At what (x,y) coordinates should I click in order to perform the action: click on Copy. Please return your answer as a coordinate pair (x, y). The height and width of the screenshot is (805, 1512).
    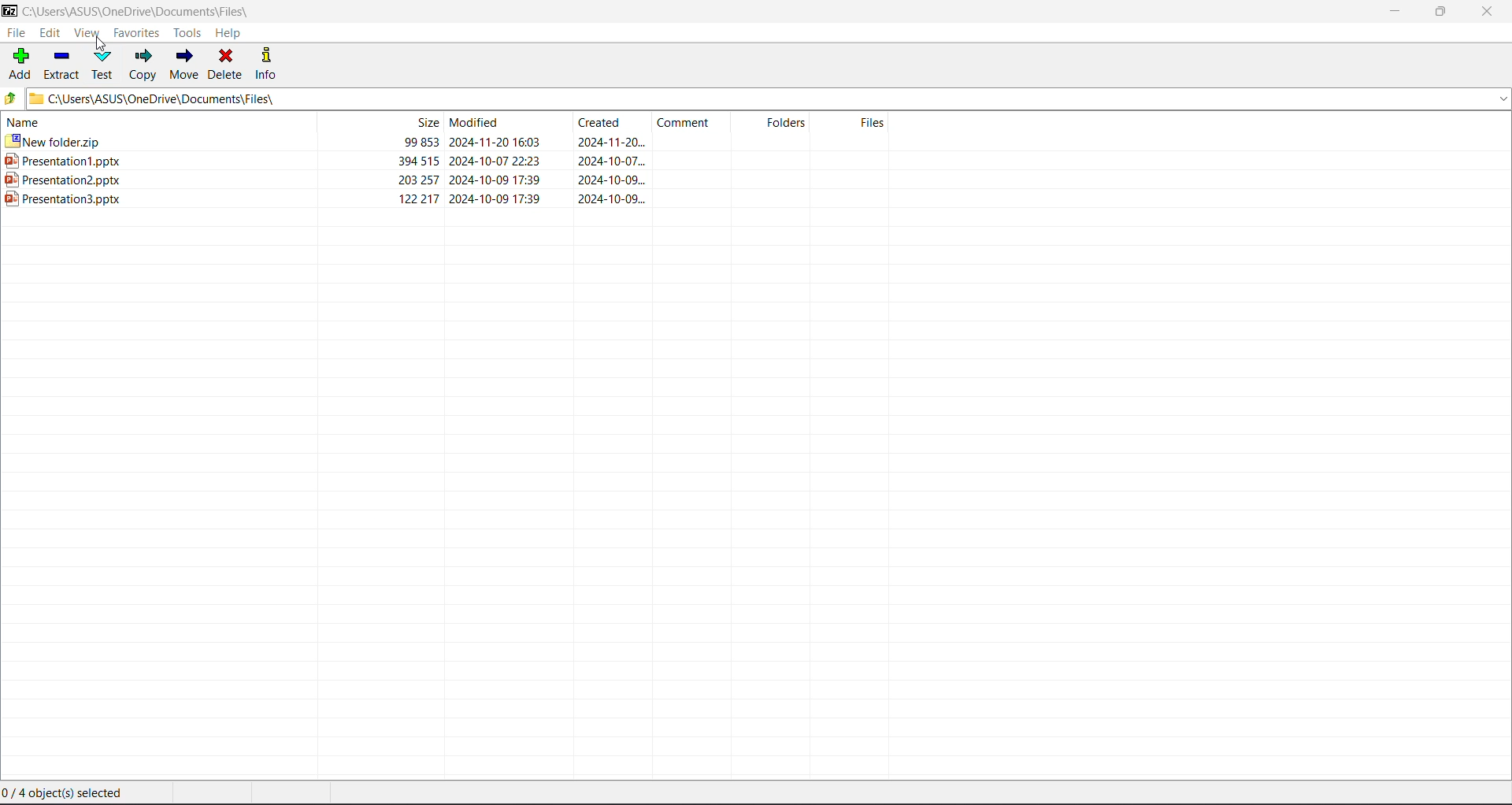
    Looking at the image, I should click on (143, 64).